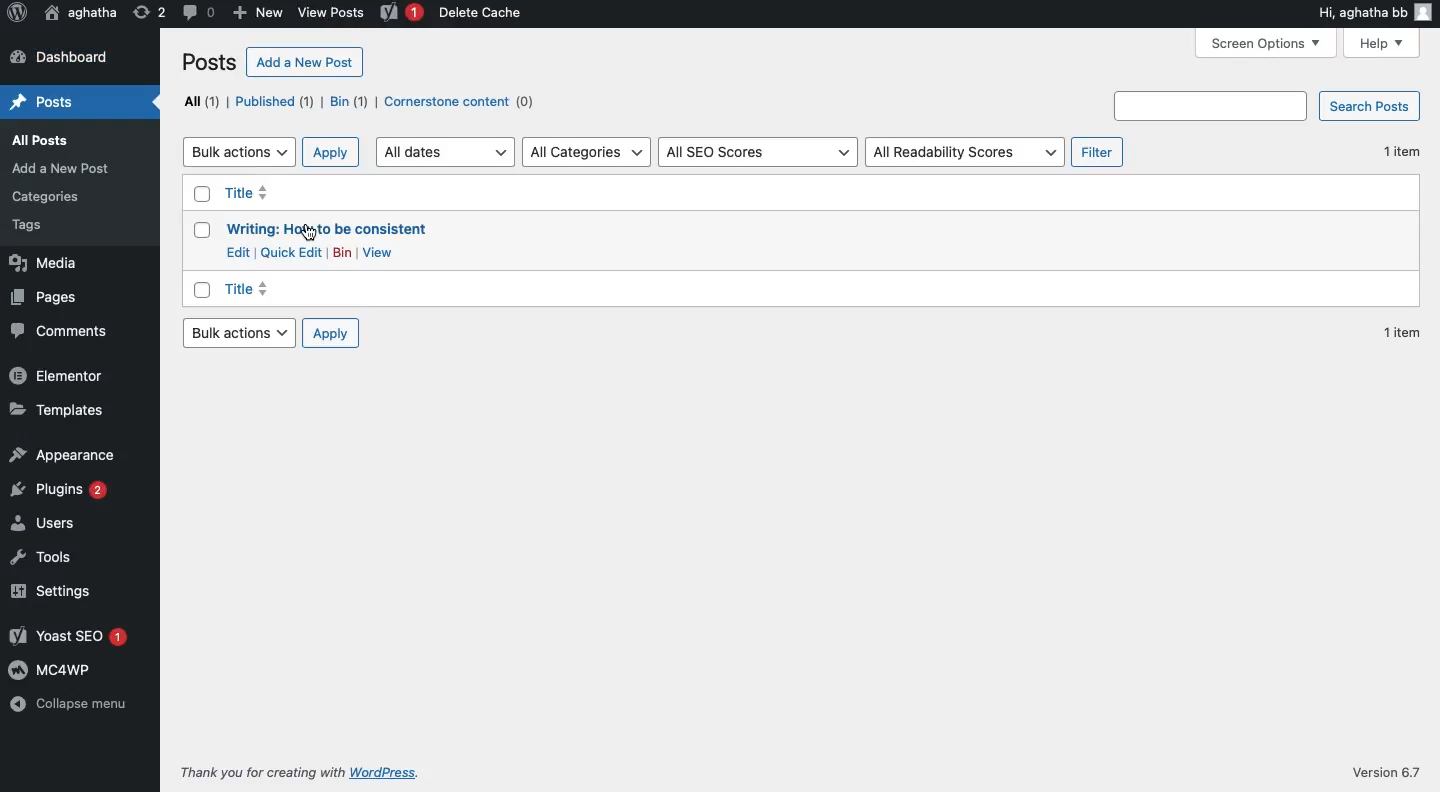  I want to click on Media, so click(44, 261).